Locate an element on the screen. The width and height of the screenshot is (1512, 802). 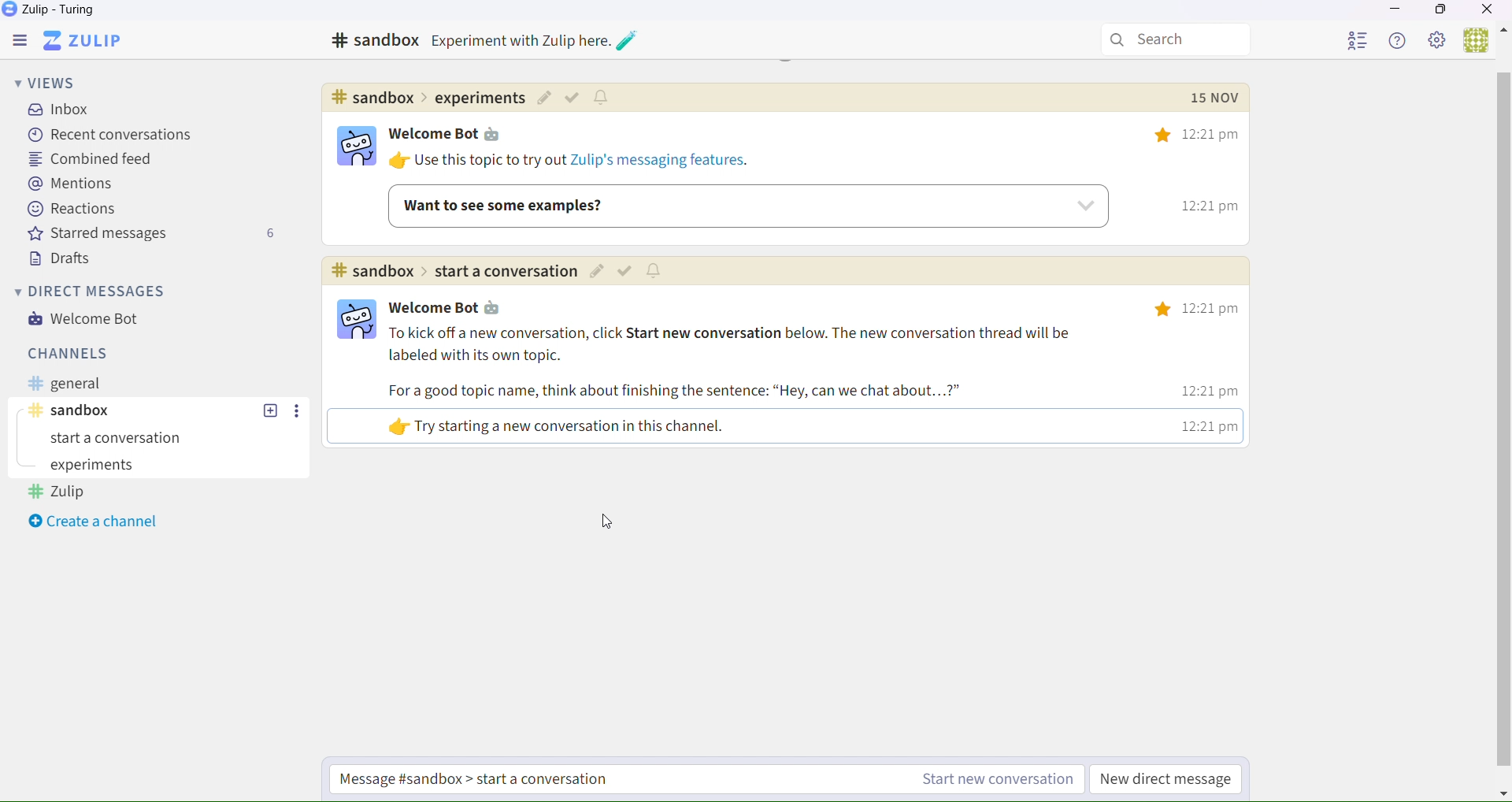
Search is located at coordinates (1177, 40).